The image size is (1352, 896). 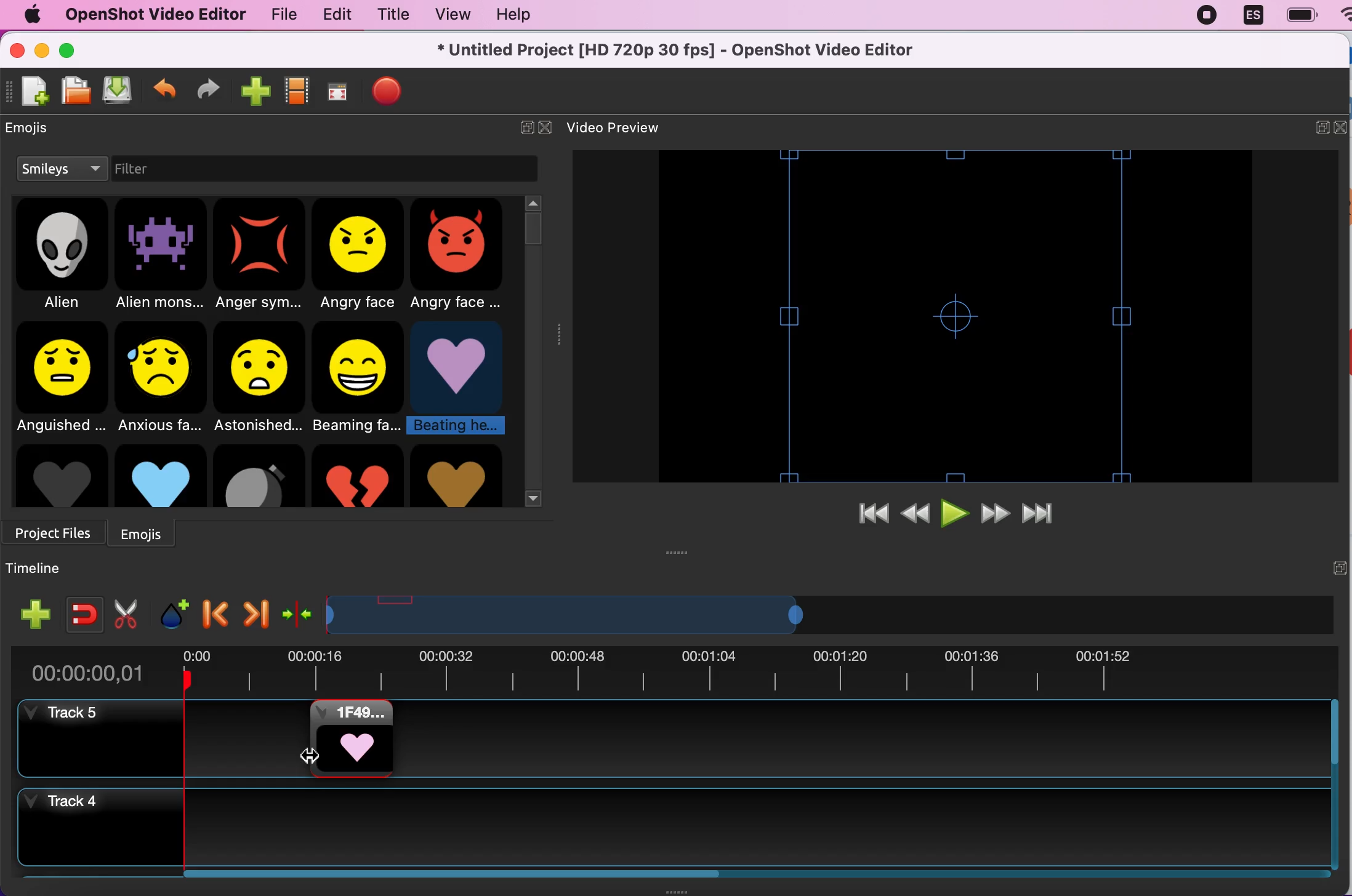 I want to click on anger, so click(x=261, y=256).